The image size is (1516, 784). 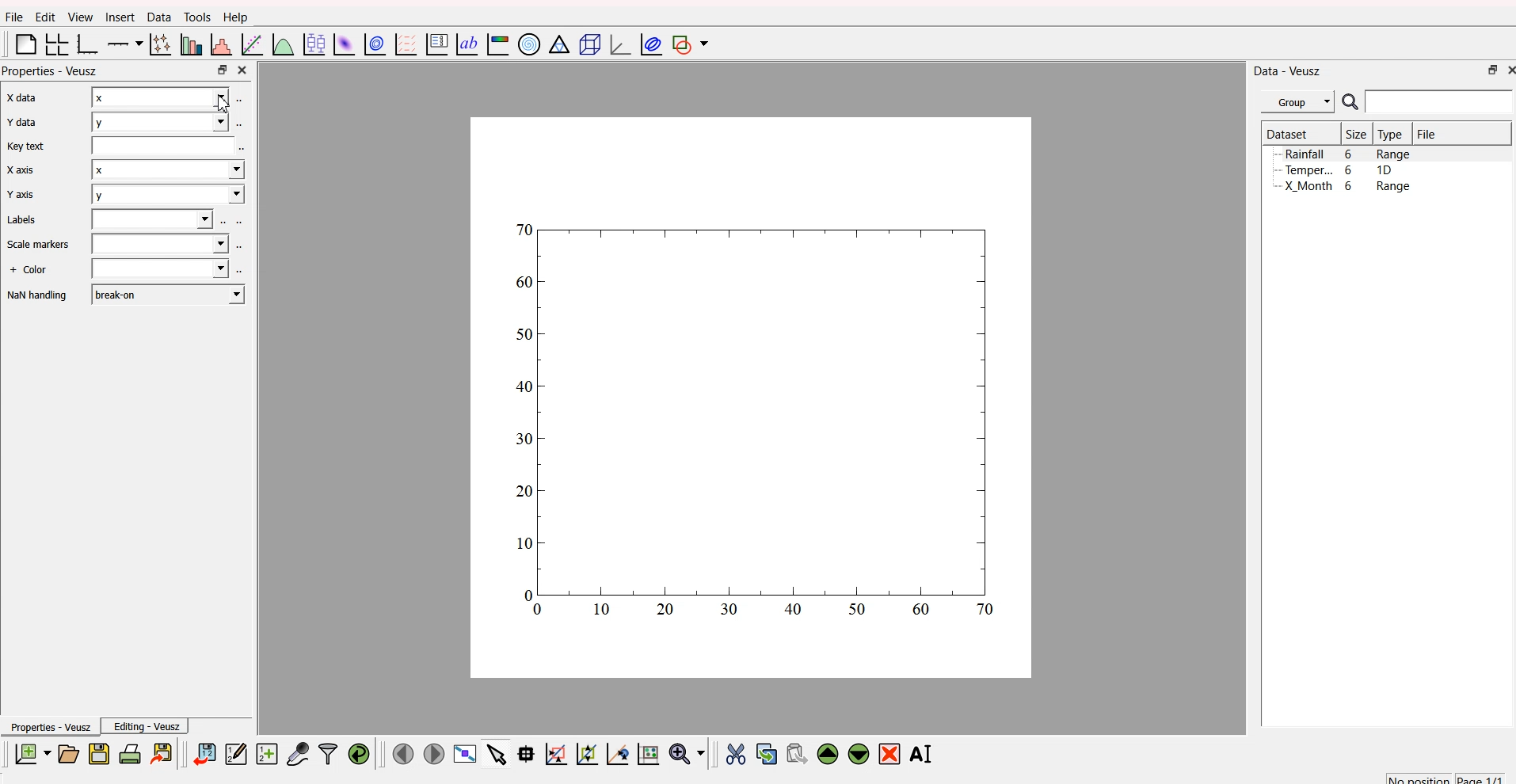 What do you see at coordinates (160, 120) in the screenshot?
I see `y` at bounding box center [160, 120].